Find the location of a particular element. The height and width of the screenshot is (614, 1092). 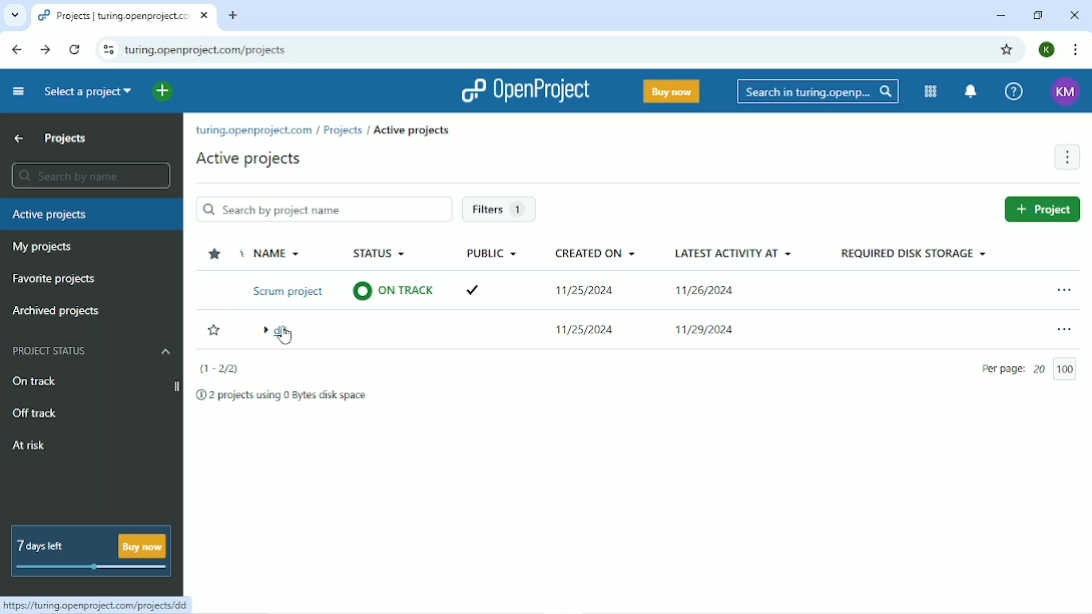

Open quick add menu is located at coordinates (165, 91).